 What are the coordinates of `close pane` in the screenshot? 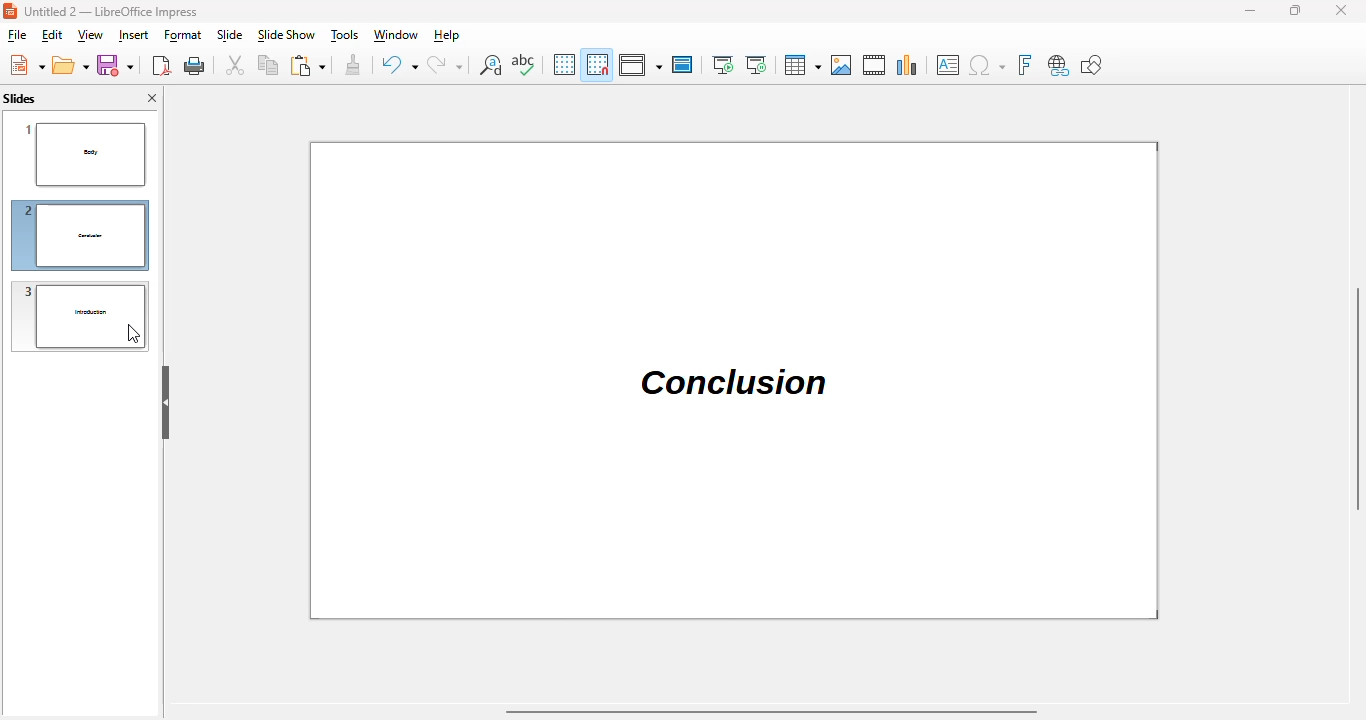 It's located at (152, 98).